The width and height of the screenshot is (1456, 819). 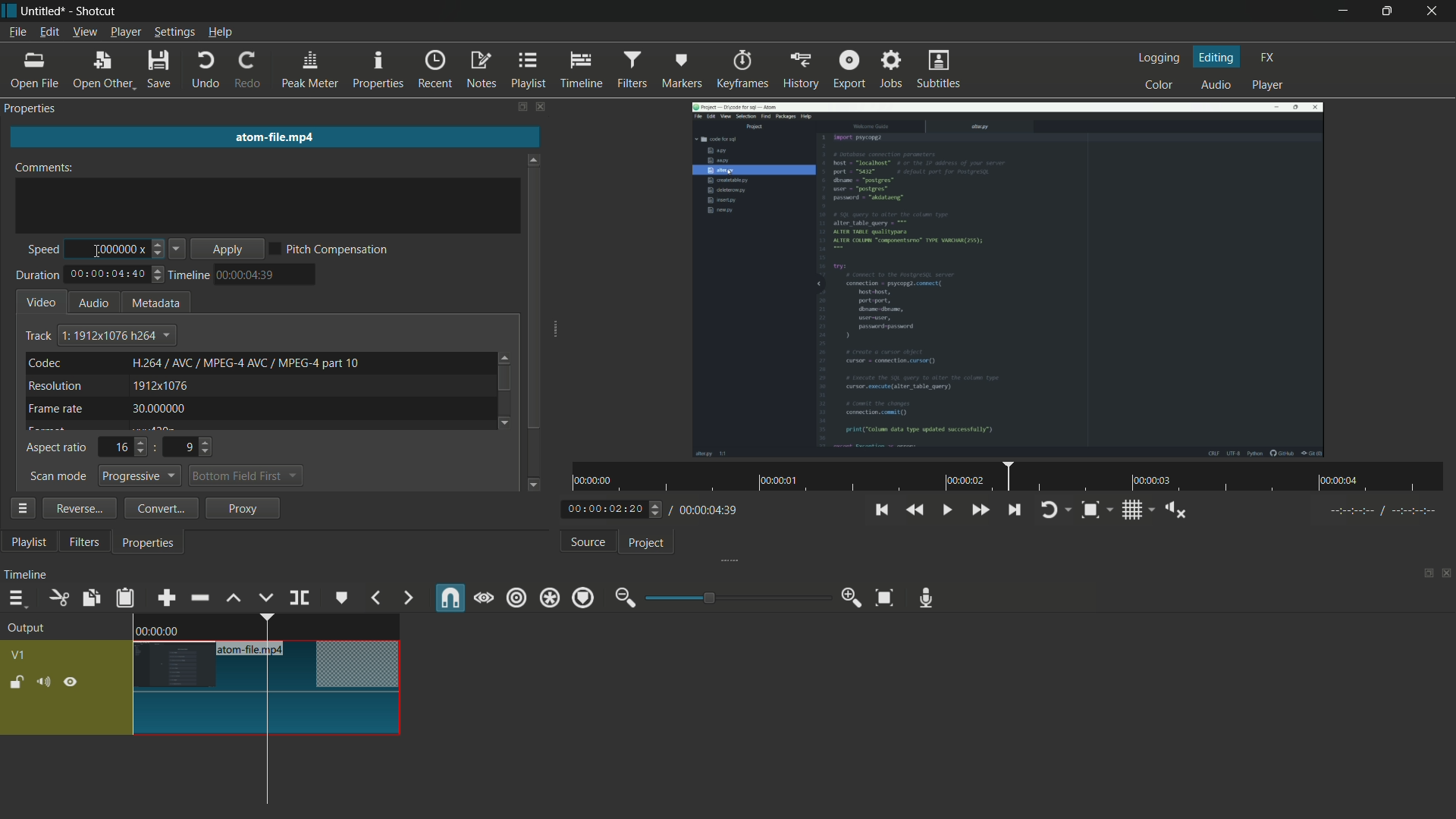 What do you see at coordinates (1436, 11) in the screenshot?
I see `close app` at bounding box center [1436, 11].